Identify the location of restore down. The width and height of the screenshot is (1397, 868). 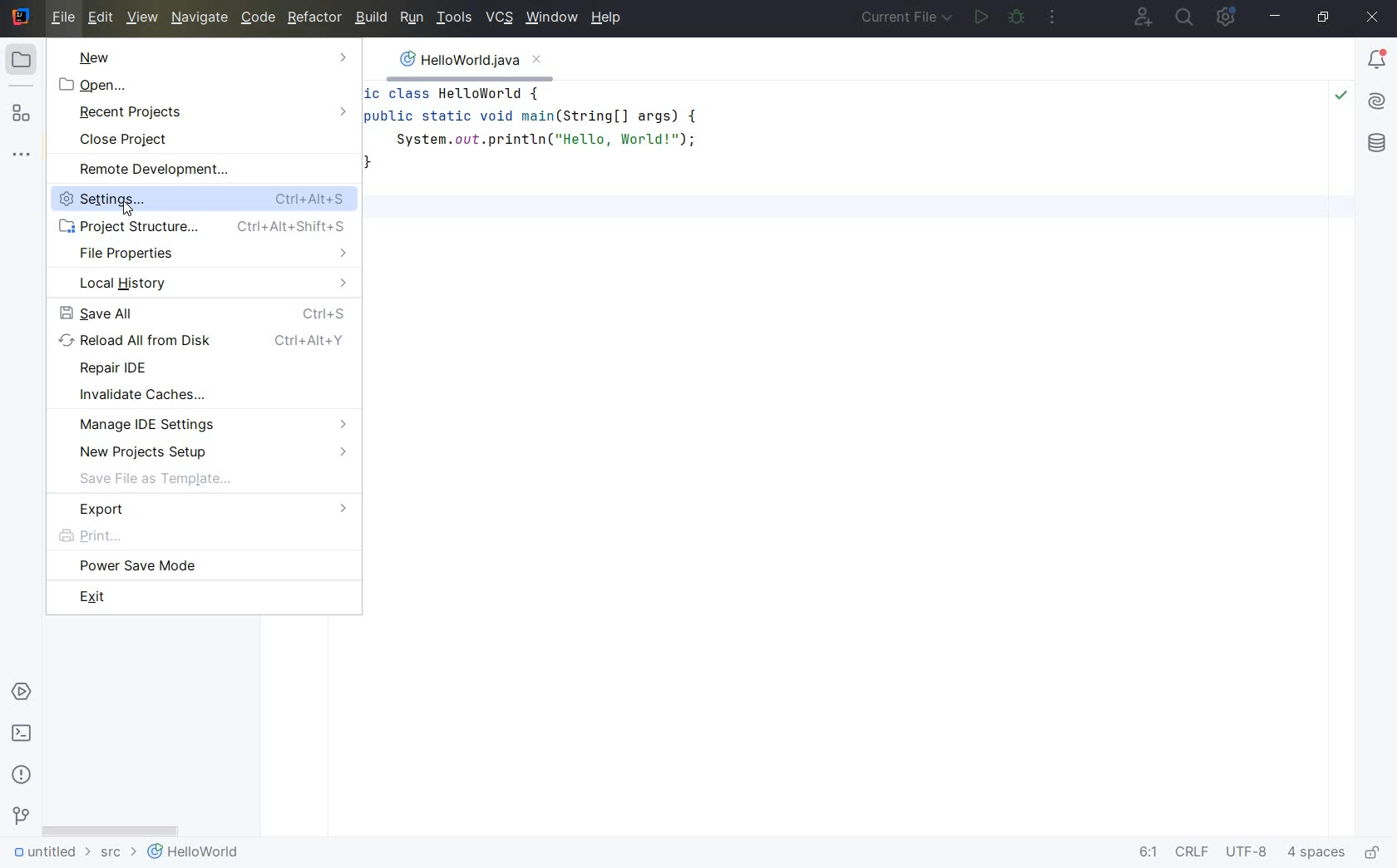
(1325, 18).